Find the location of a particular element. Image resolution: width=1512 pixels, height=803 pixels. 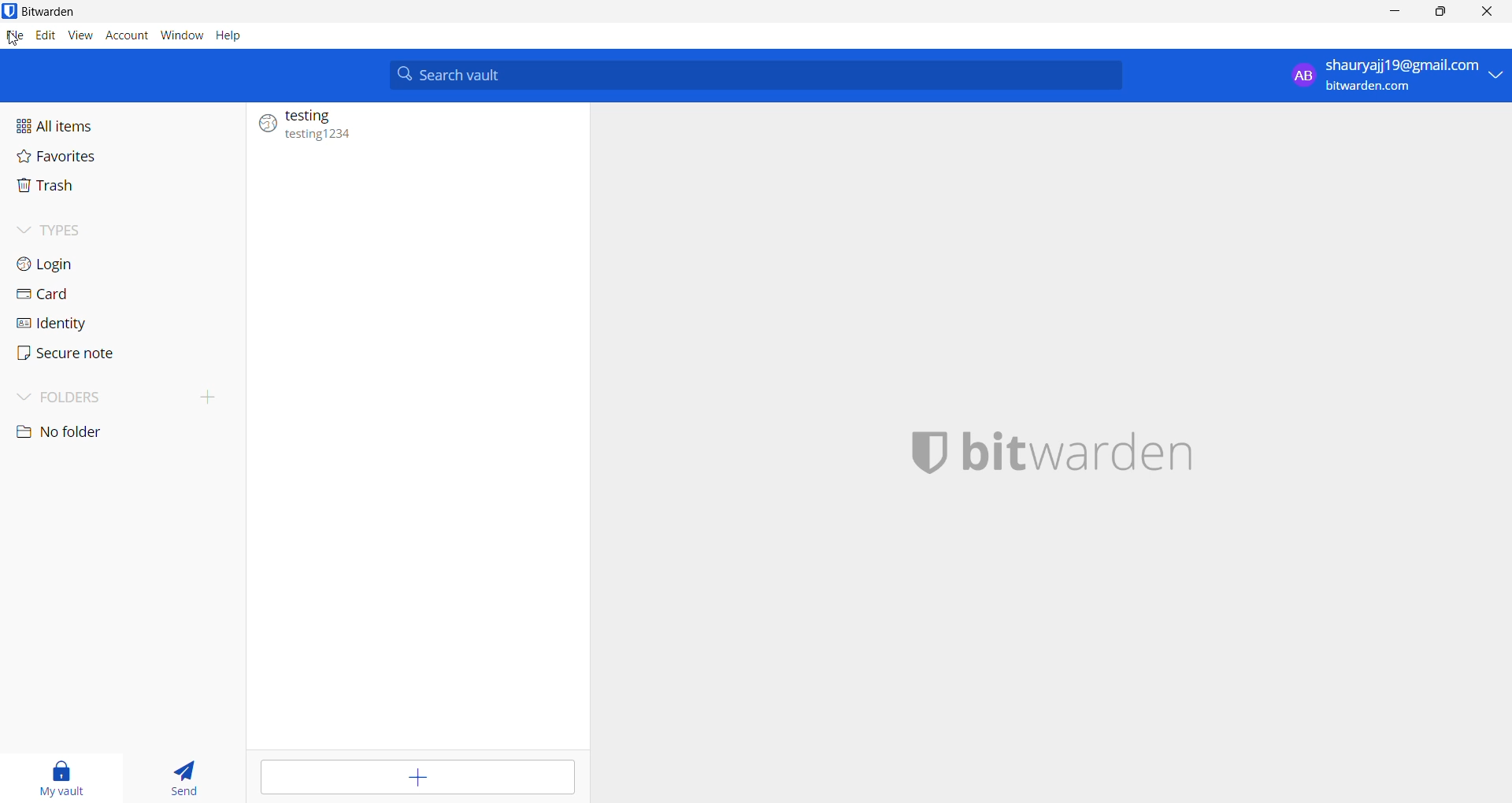

edit is located at coordinates (45, 36).